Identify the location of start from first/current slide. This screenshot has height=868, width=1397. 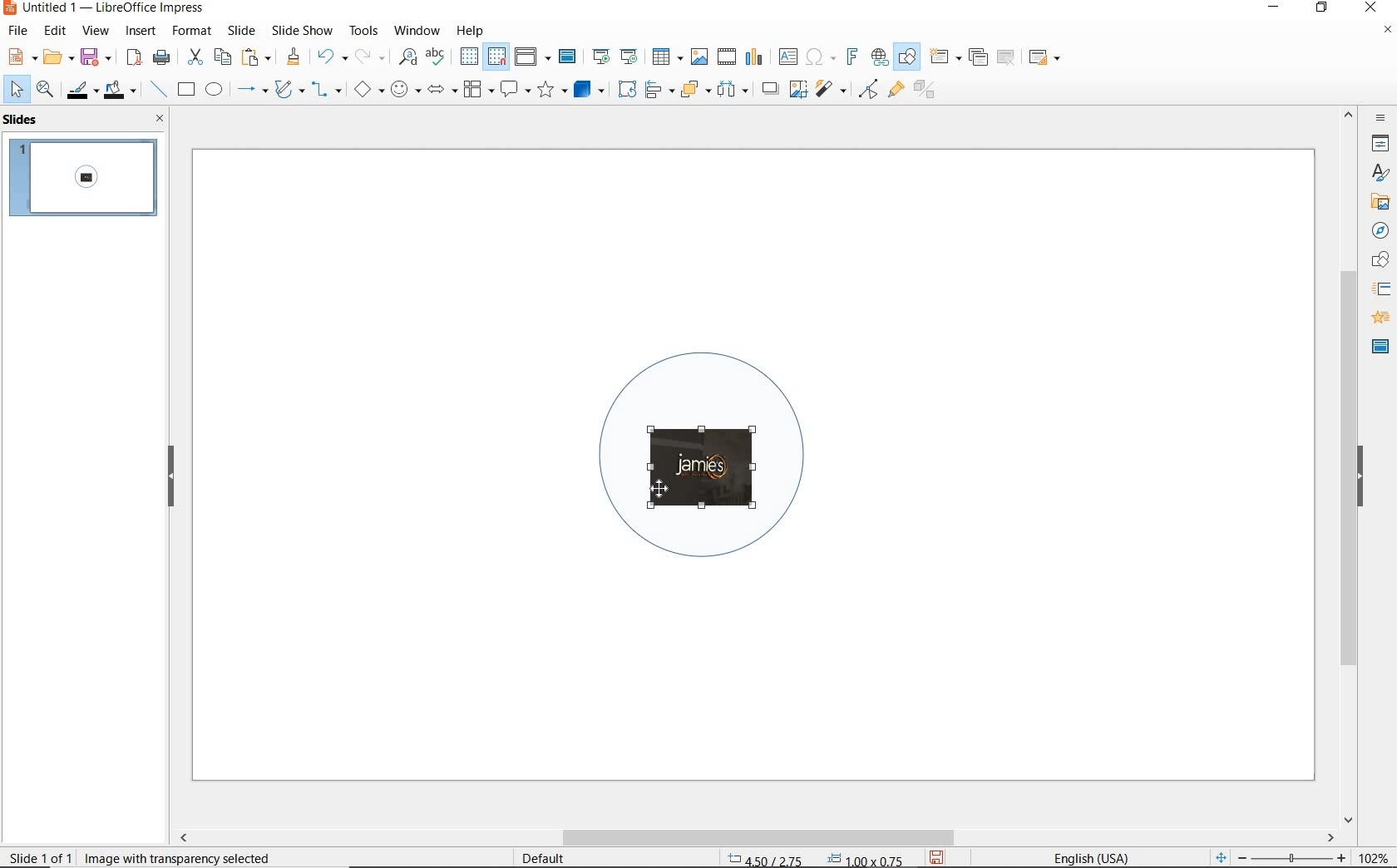
(615, 55).